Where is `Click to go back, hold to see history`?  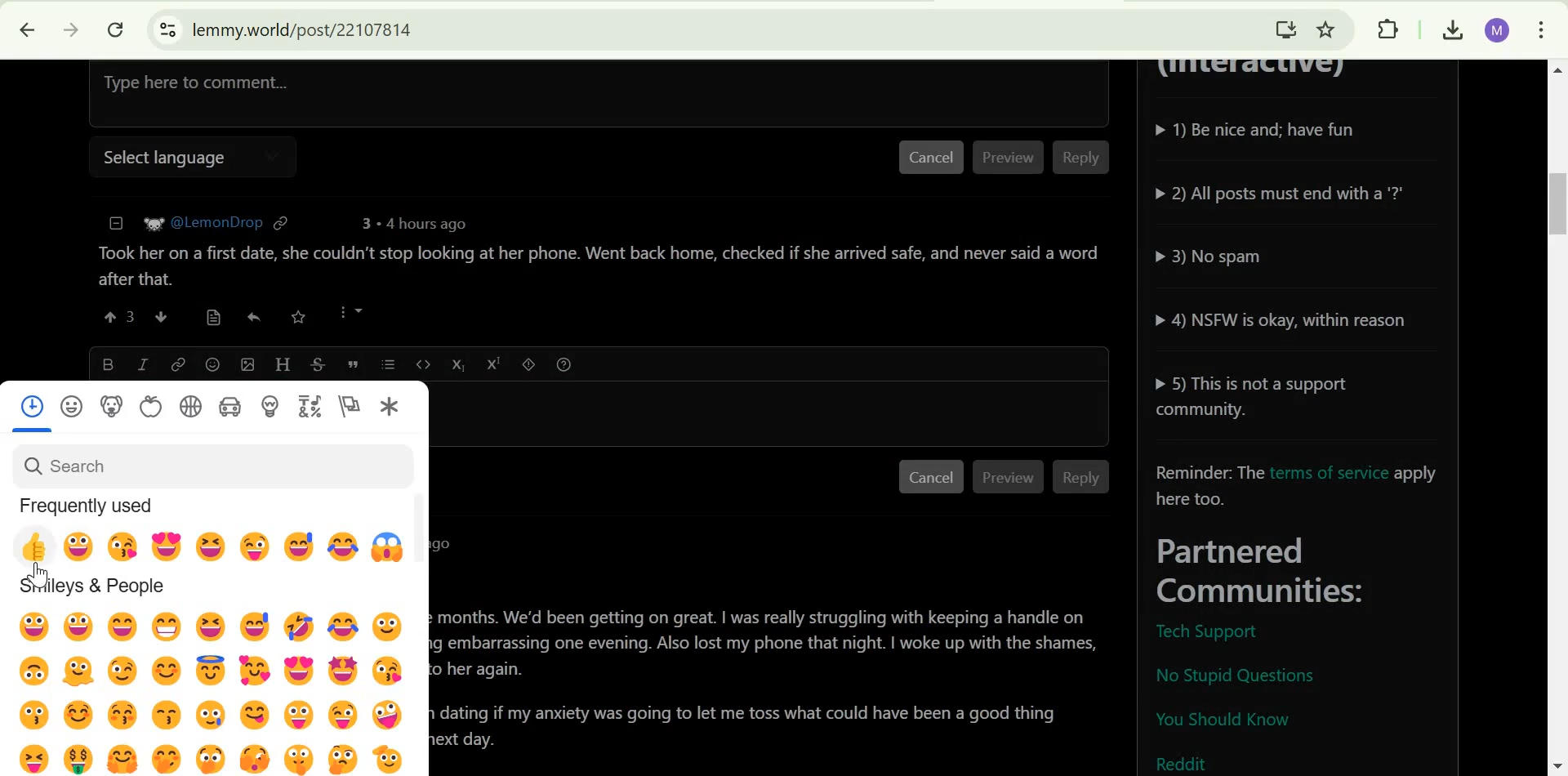
Click to go back, hold to see history is located at coordinates (19, 30).